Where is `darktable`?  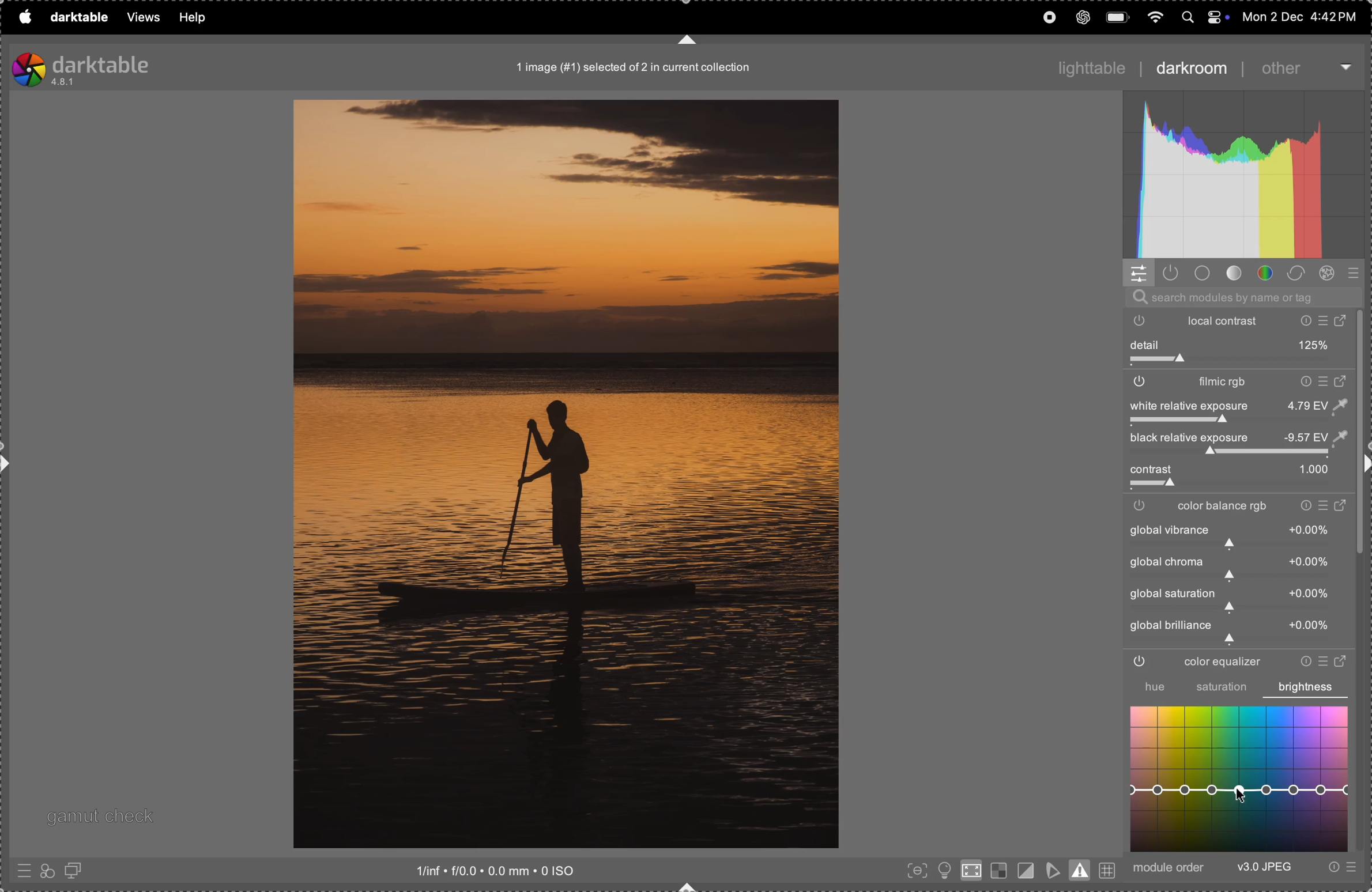 darktable is located at coordinates (76, 16).